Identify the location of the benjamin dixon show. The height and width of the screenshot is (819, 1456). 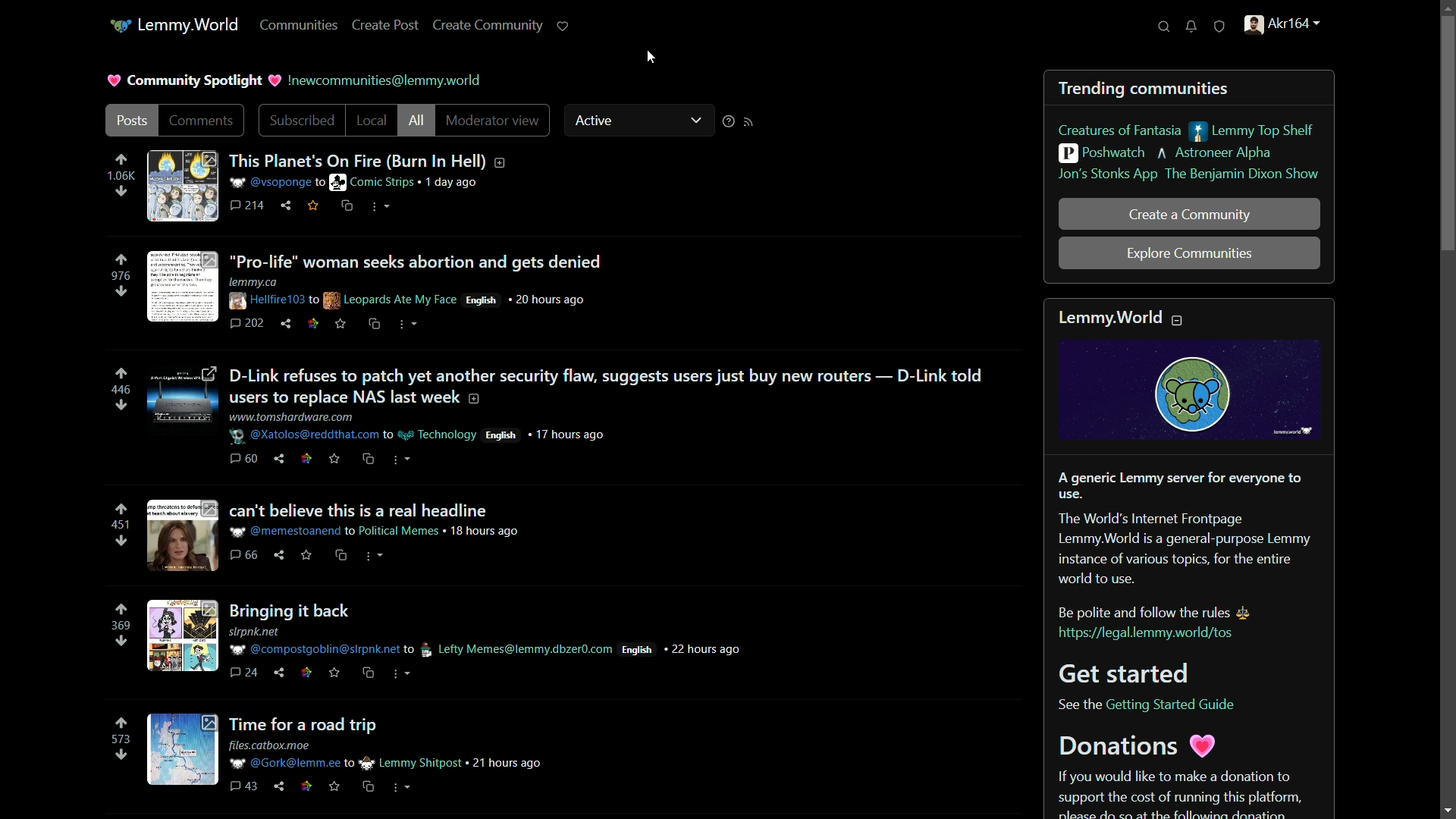
(1244, 176).